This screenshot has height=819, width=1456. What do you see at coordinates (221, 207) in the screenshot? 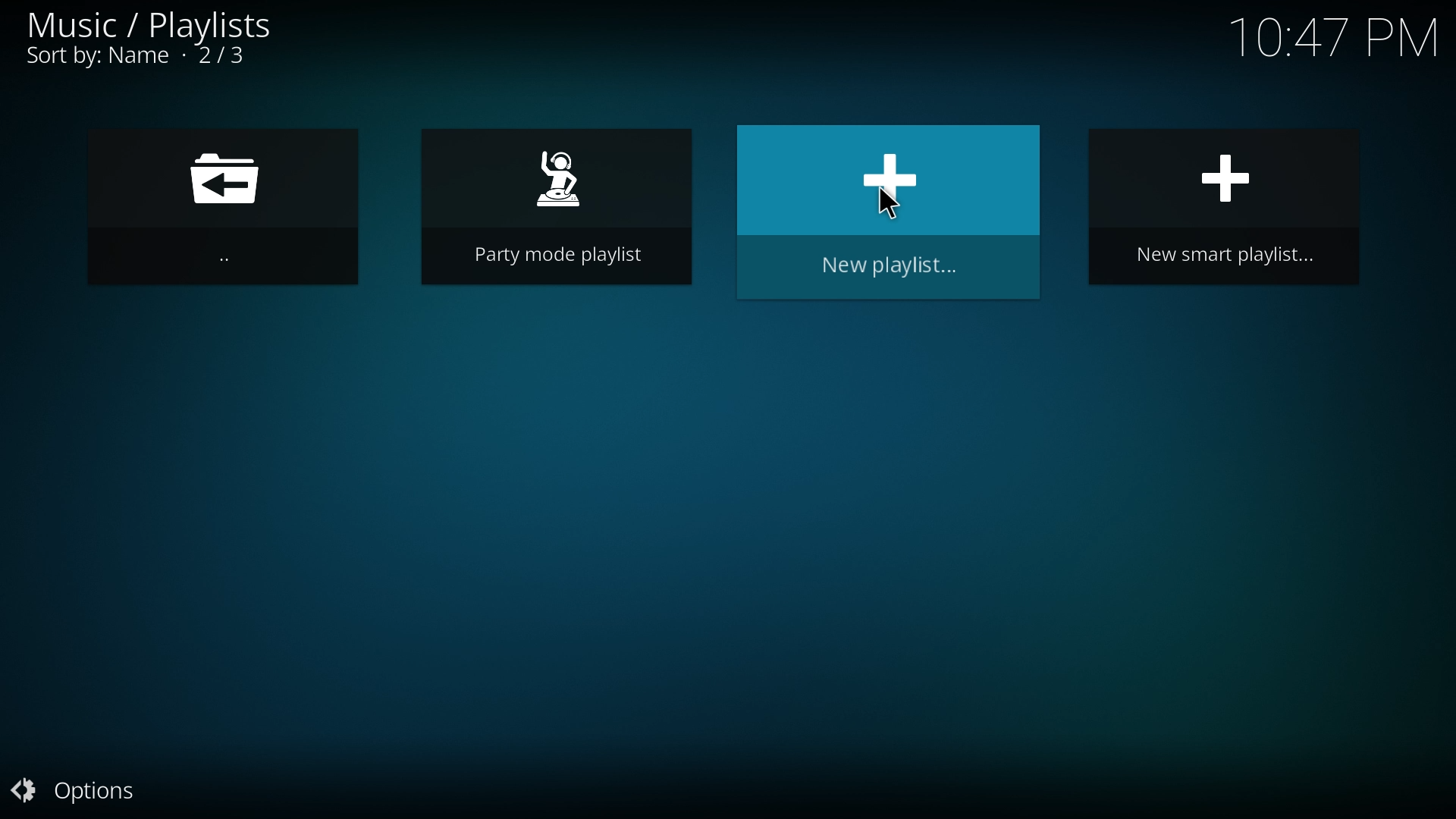
I see `go back` at bounding box center [221, 207].